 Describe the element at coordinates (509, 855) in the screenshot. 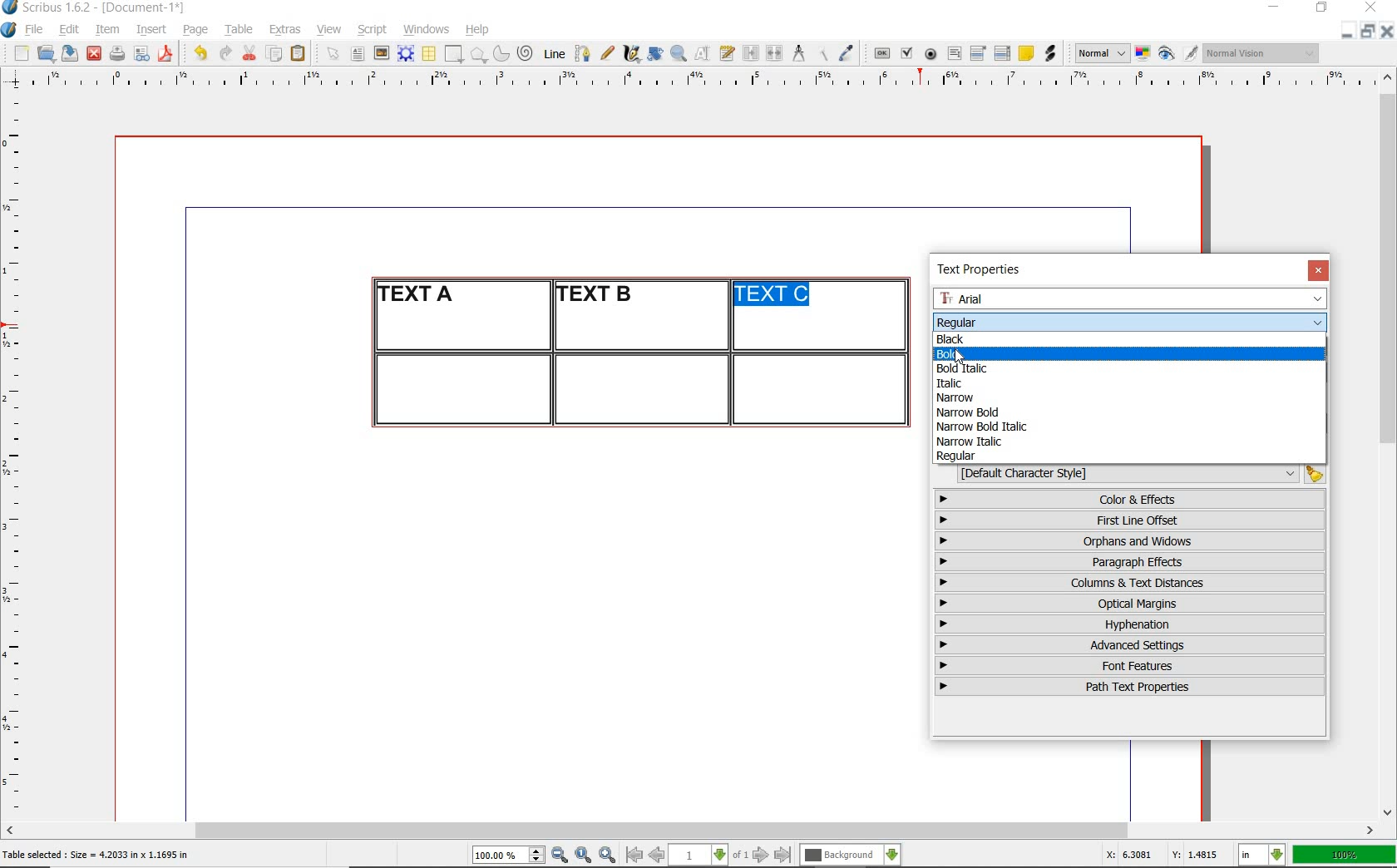

I see `select current zoom level` at that location.